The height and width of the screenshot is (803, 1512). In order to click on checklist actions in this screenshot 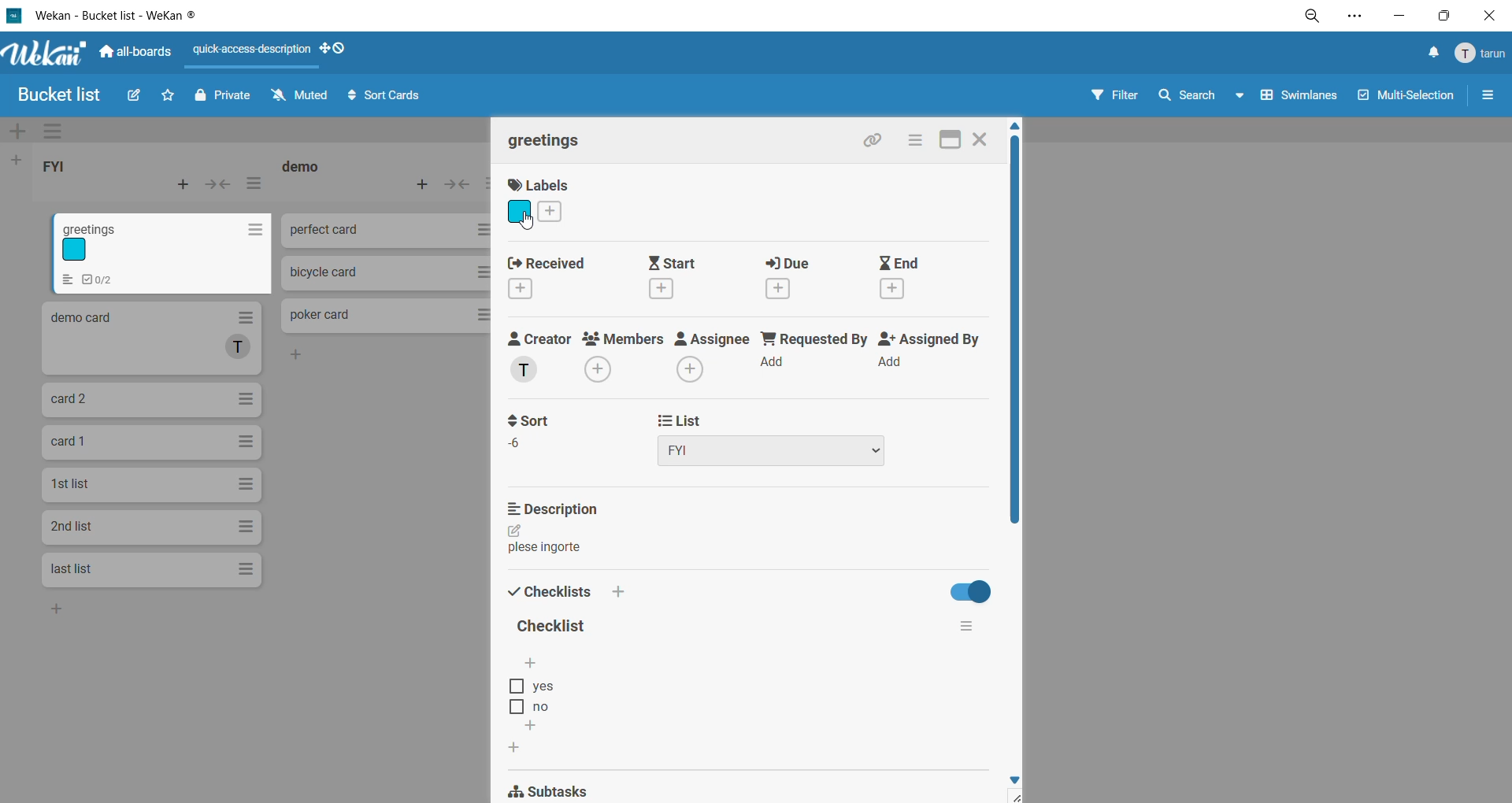, I will do `click(967, 627)`.